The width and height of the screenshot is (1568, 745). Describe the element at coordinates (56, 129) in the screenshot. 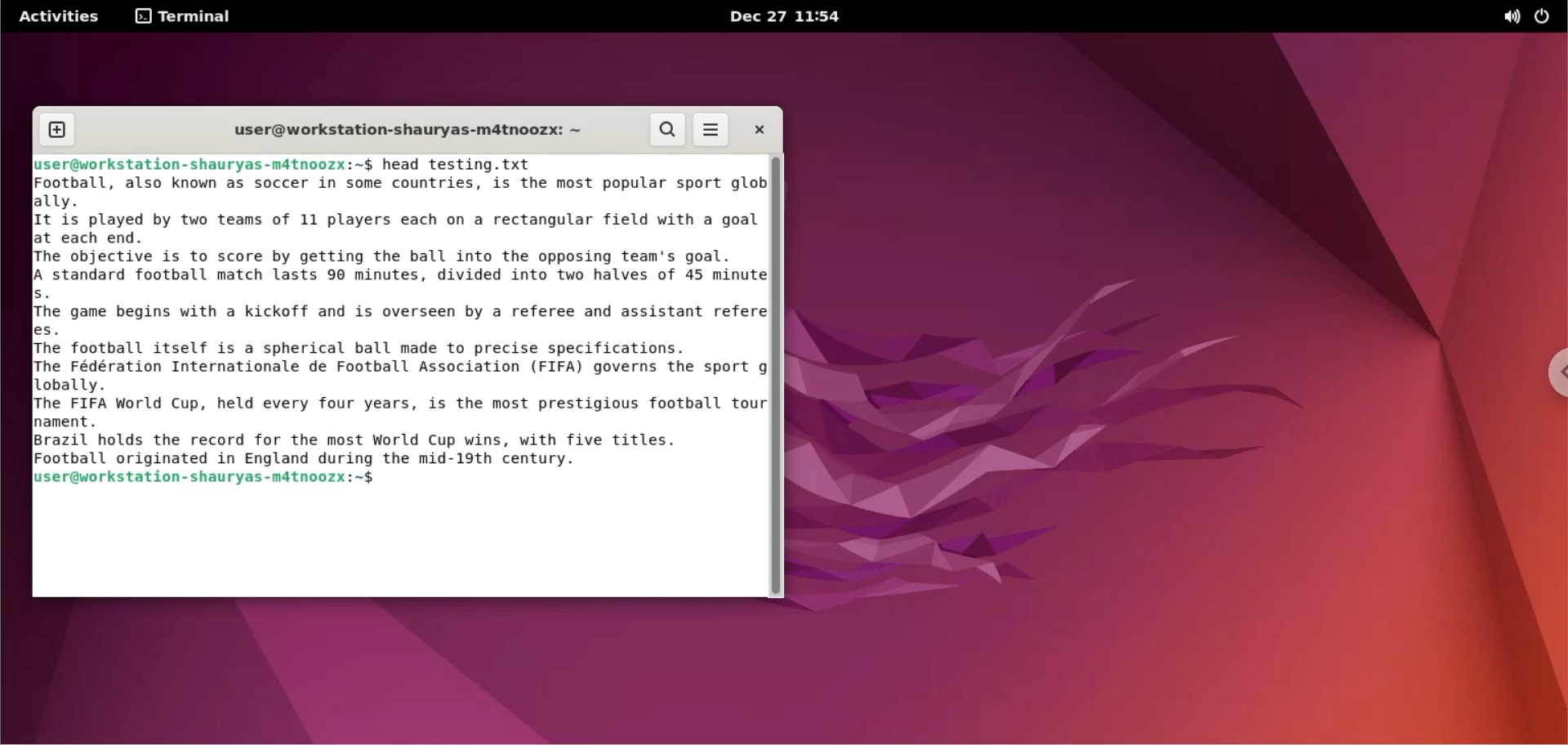

I see `new tab` at that location.